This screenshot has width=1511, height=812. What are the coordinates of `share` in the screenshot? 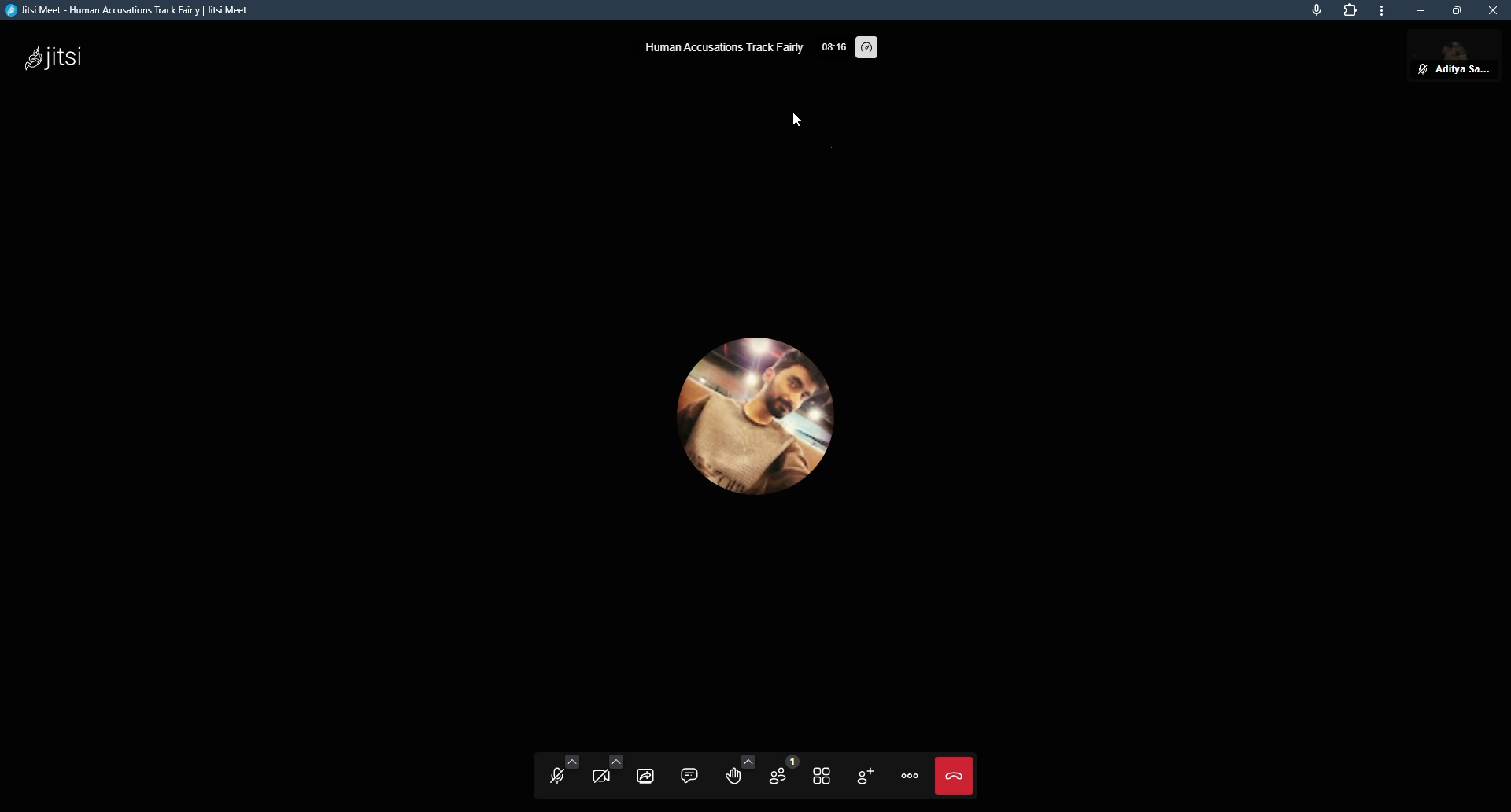 It's located at (650, 776).